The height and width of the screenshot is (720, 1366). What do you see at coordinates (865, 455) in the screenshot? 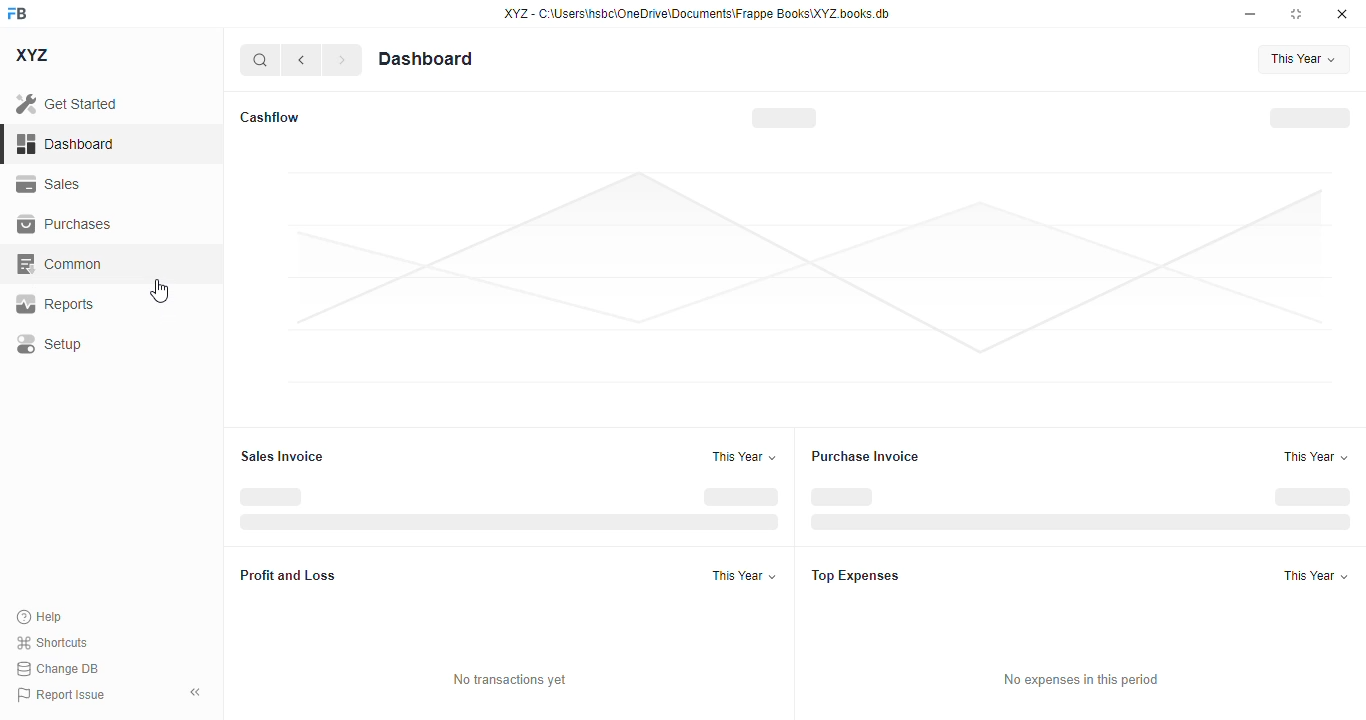
I see `purchase invoice` at bounding box center [865, 455].